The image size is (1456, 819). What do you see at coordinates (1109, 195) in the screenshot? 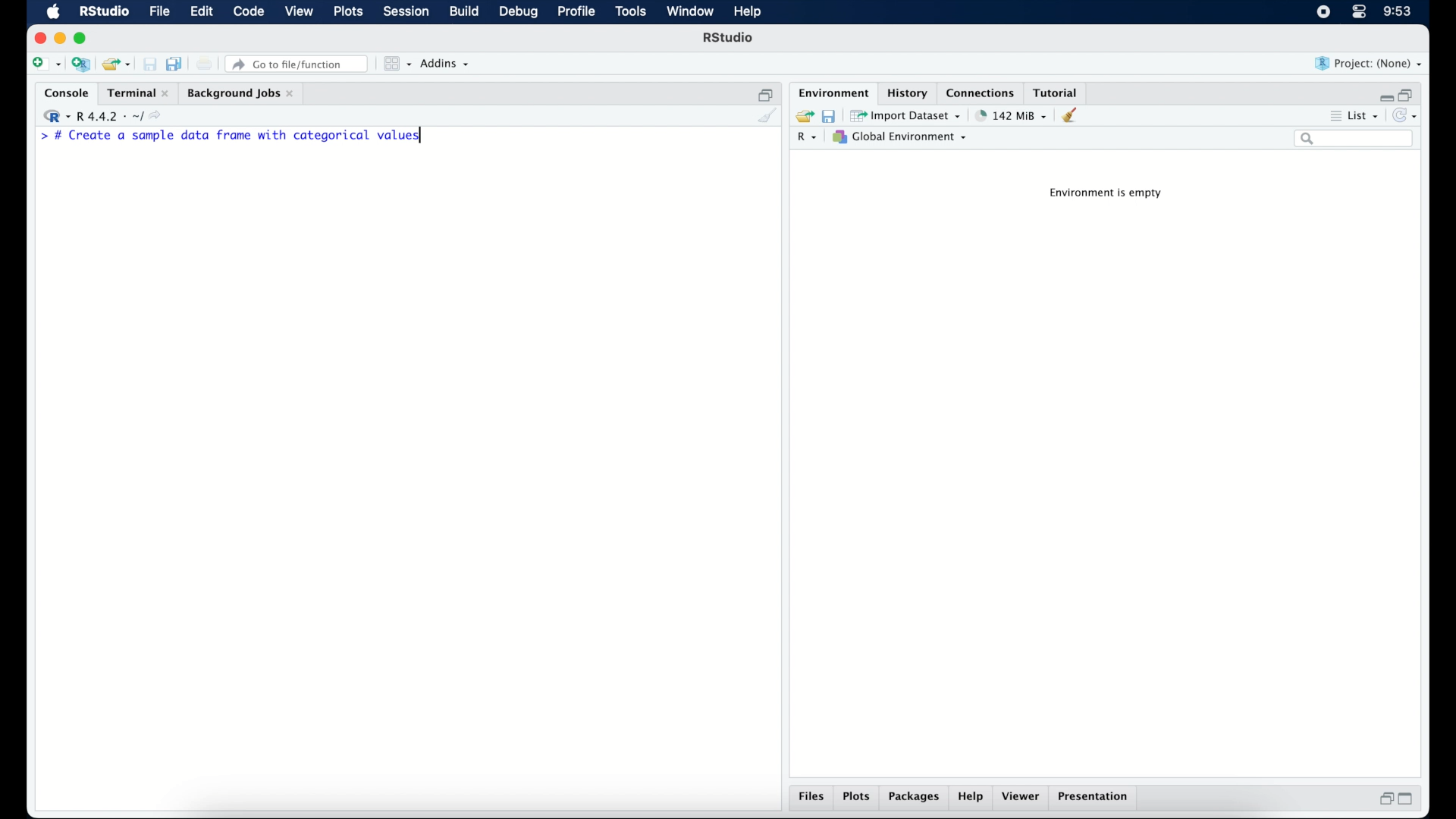
I see `environment is empty` at bounding box center [1109, 195].